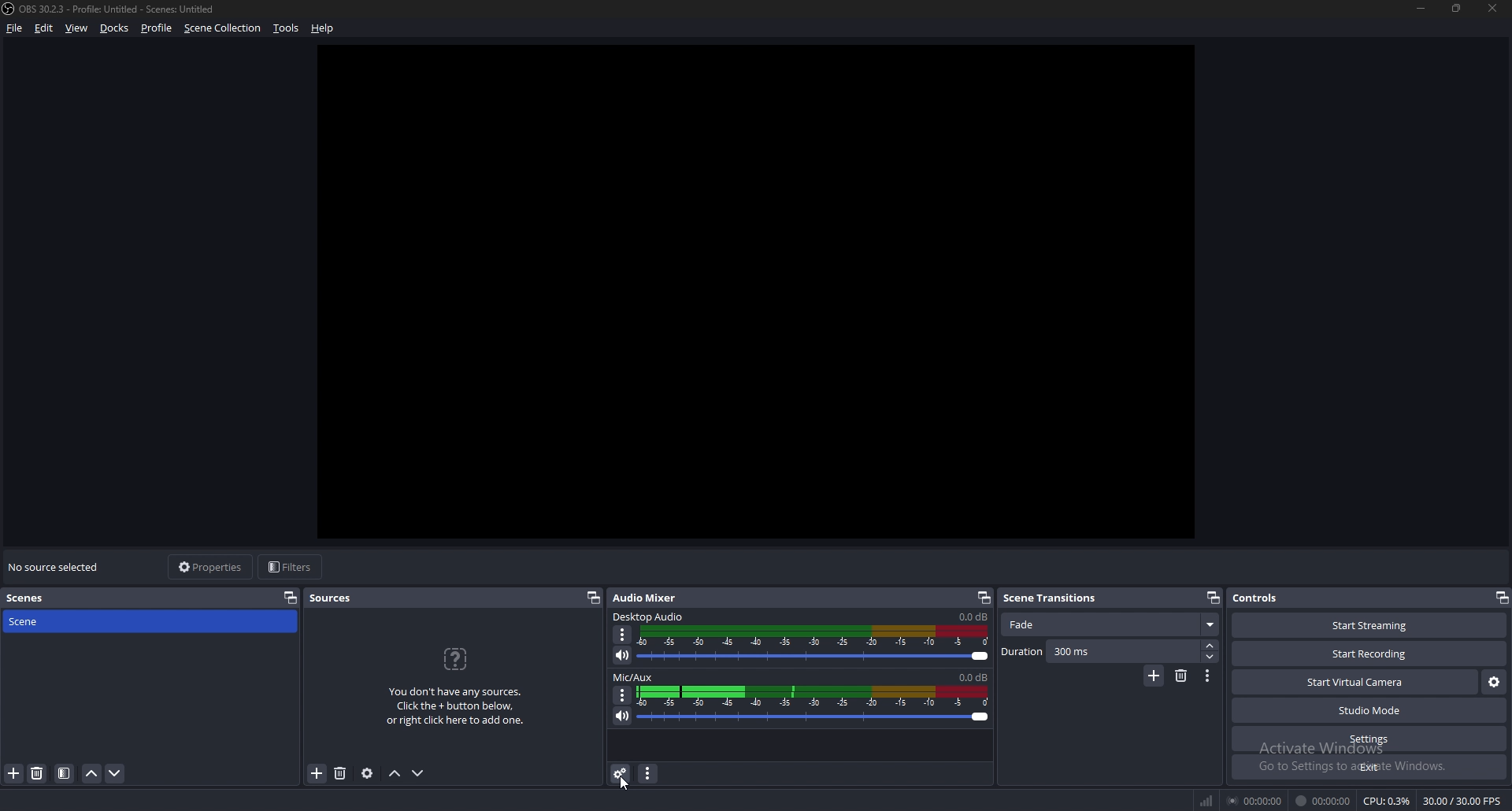 Image resolution: width=1512 pixels, height=811 pixels. I want to click on mic/aux, so click(634, 678).